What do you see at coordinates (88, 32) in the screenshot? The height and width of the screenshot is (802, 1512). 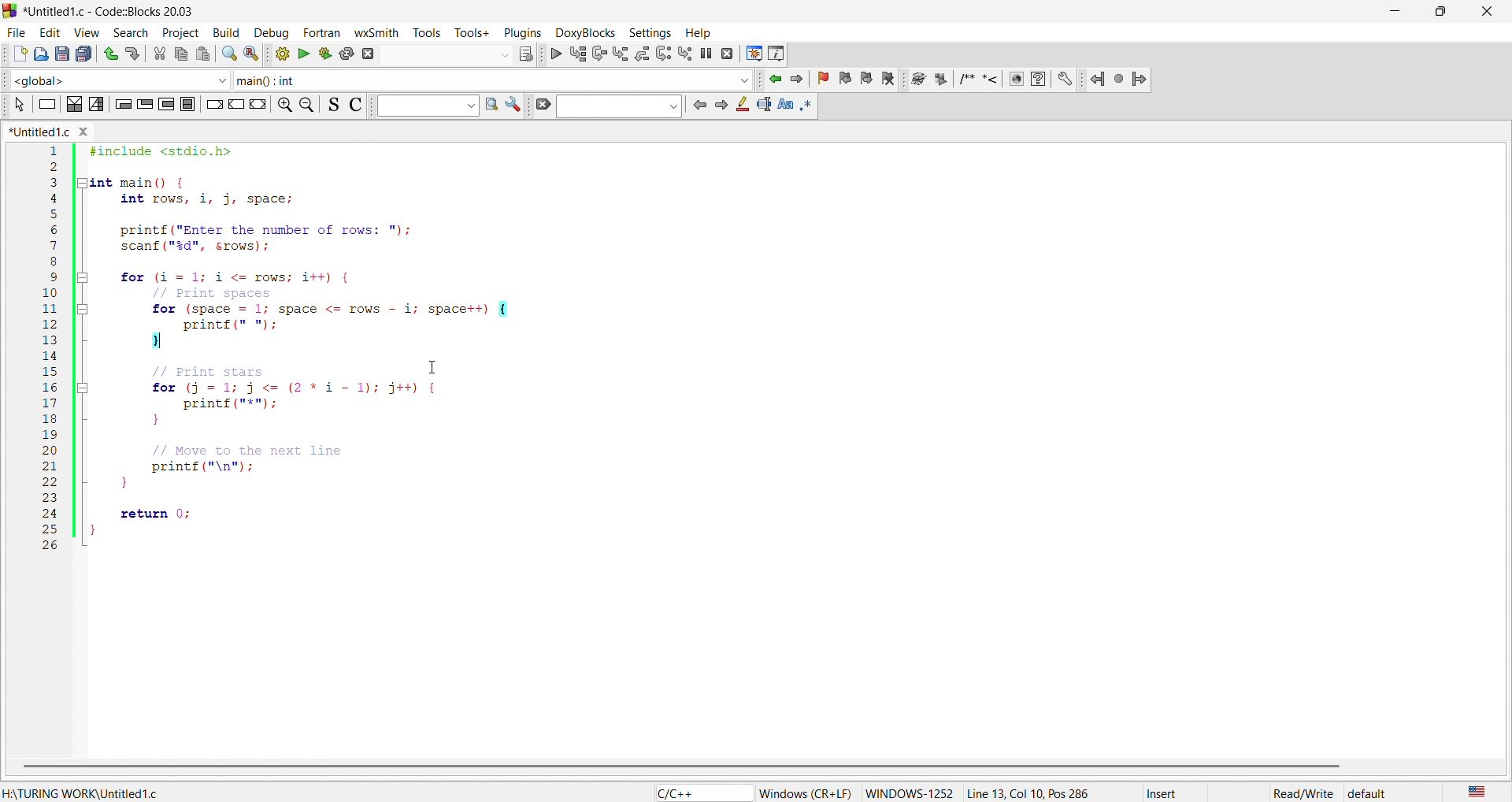 I see `view` at bounding box center [88, 32].